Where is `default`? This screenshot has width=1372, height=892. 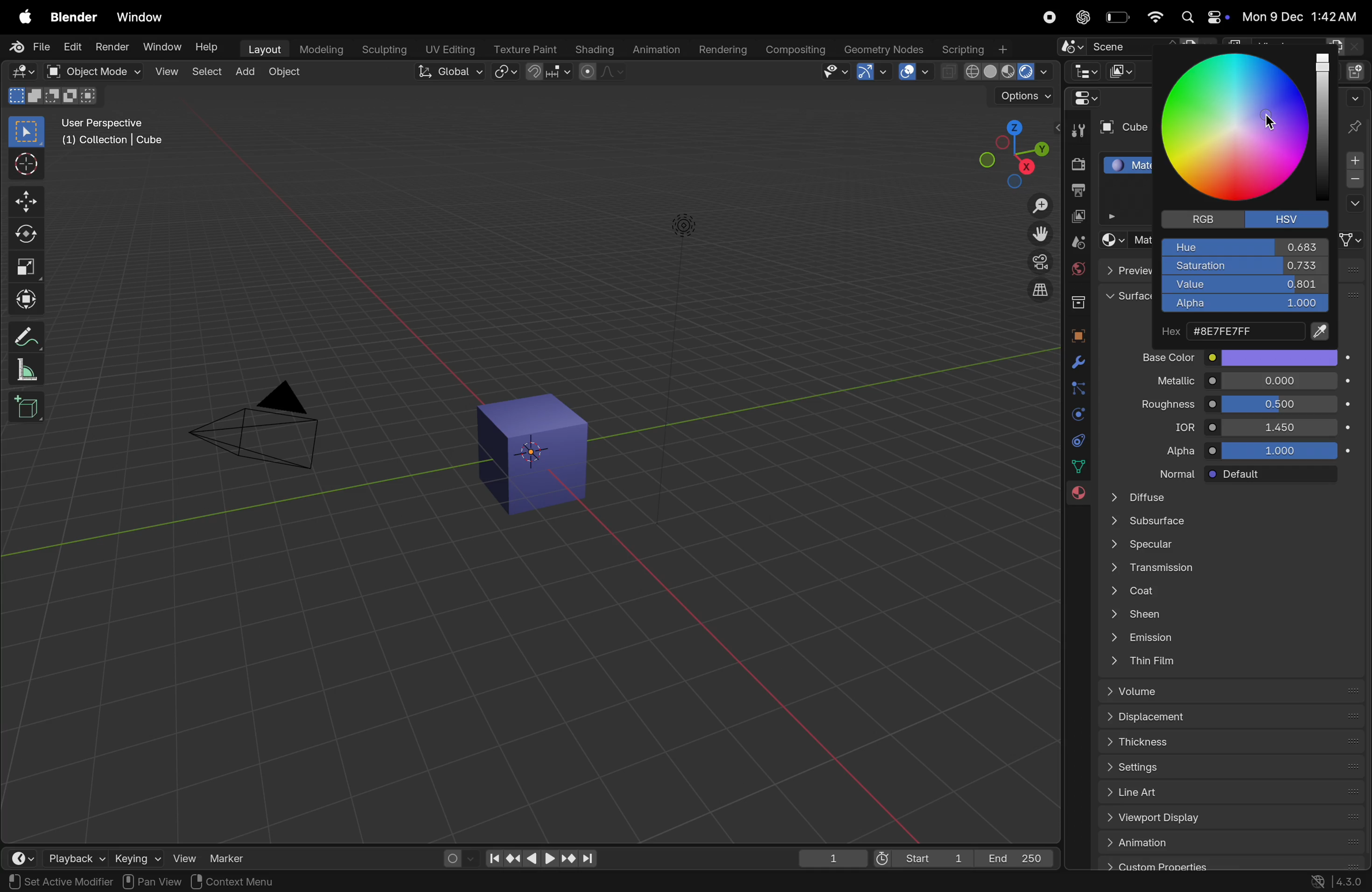
default is located at coordinates (1280, 475).